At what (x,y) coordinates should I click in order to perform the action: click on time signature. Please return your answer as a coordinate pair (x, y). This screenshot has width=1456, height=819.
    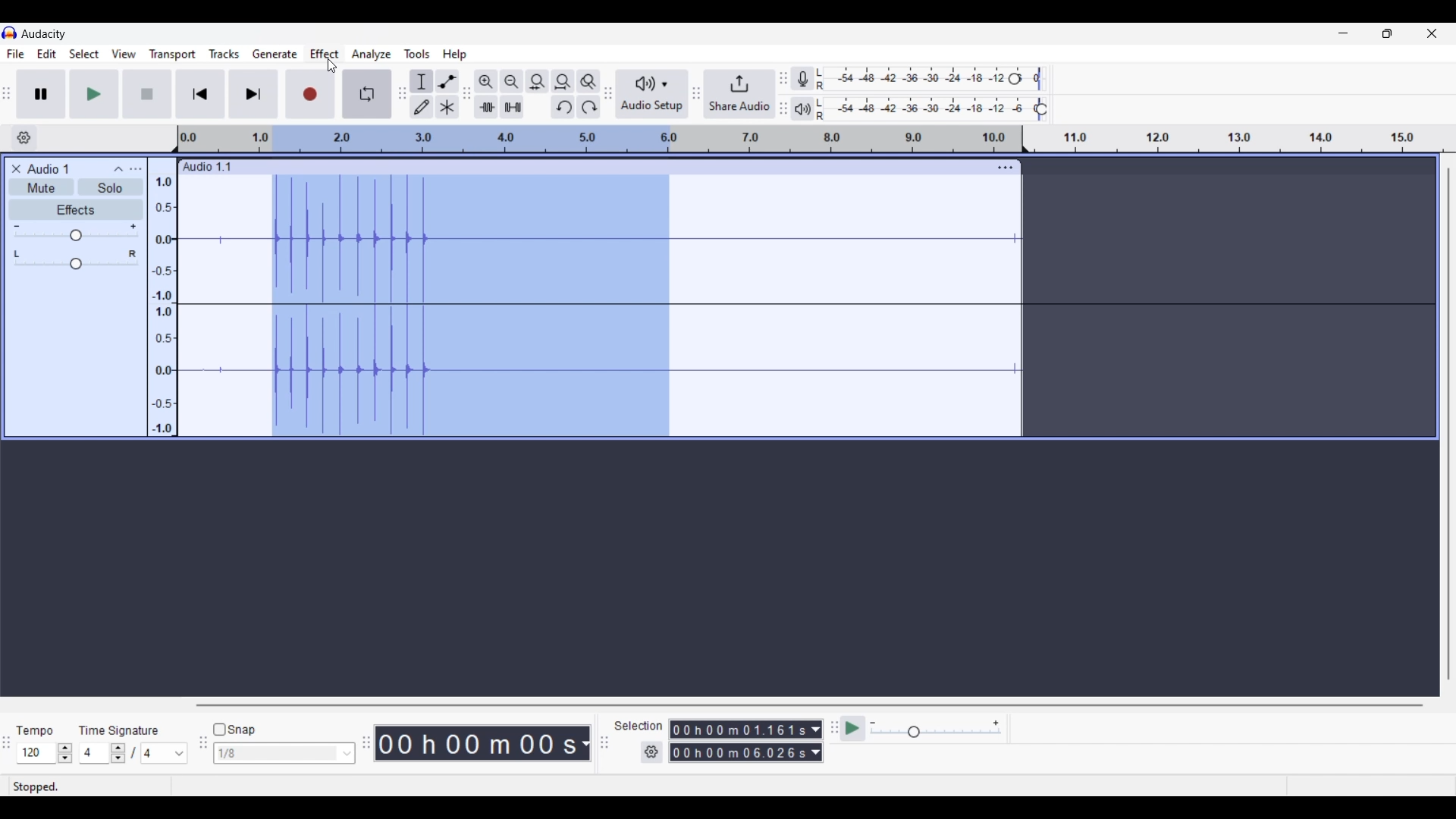
    Looking at the image, I should click on (118, 733).